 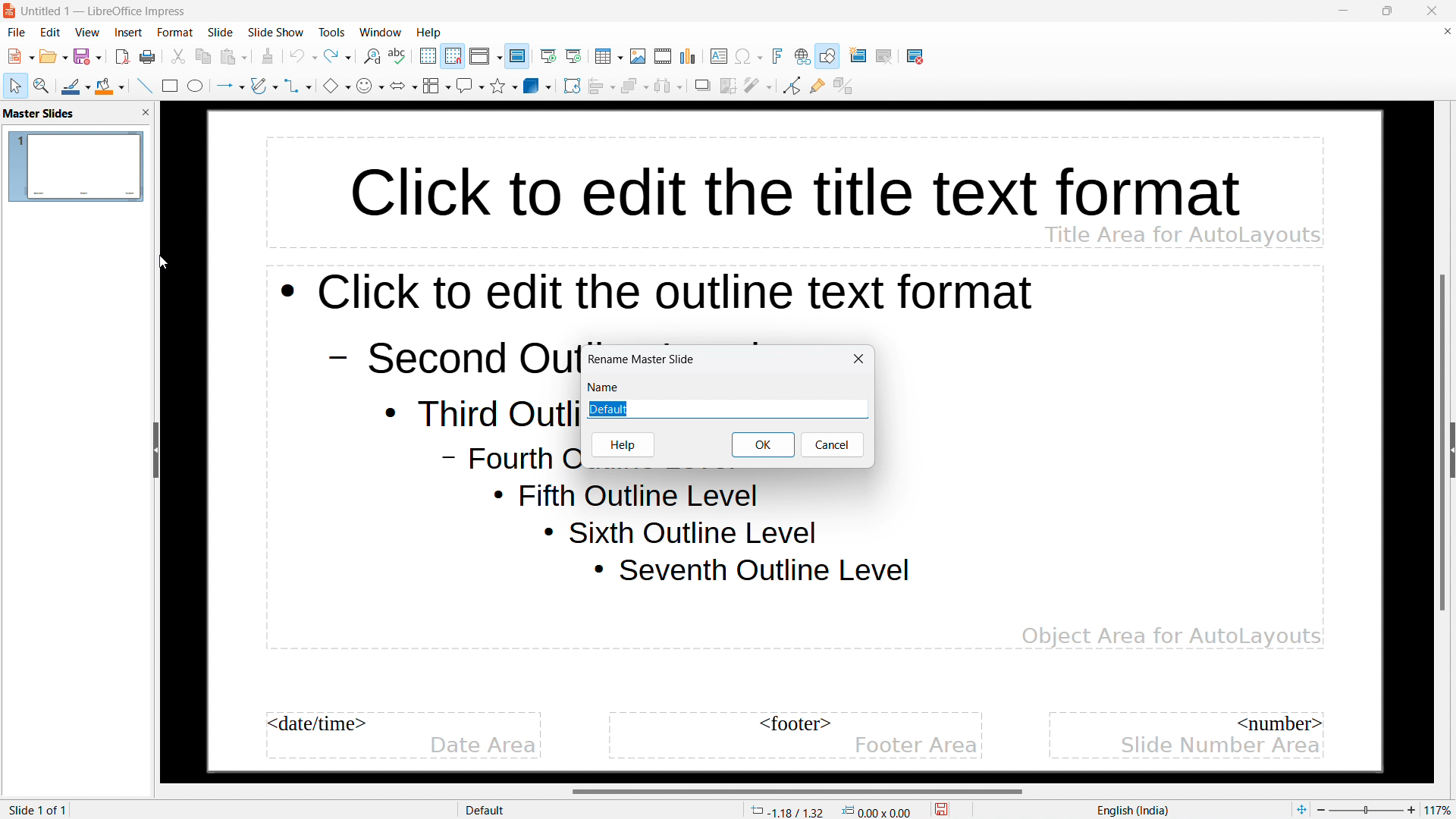 I want to click on show draw functions, so click(x=828, y=56).